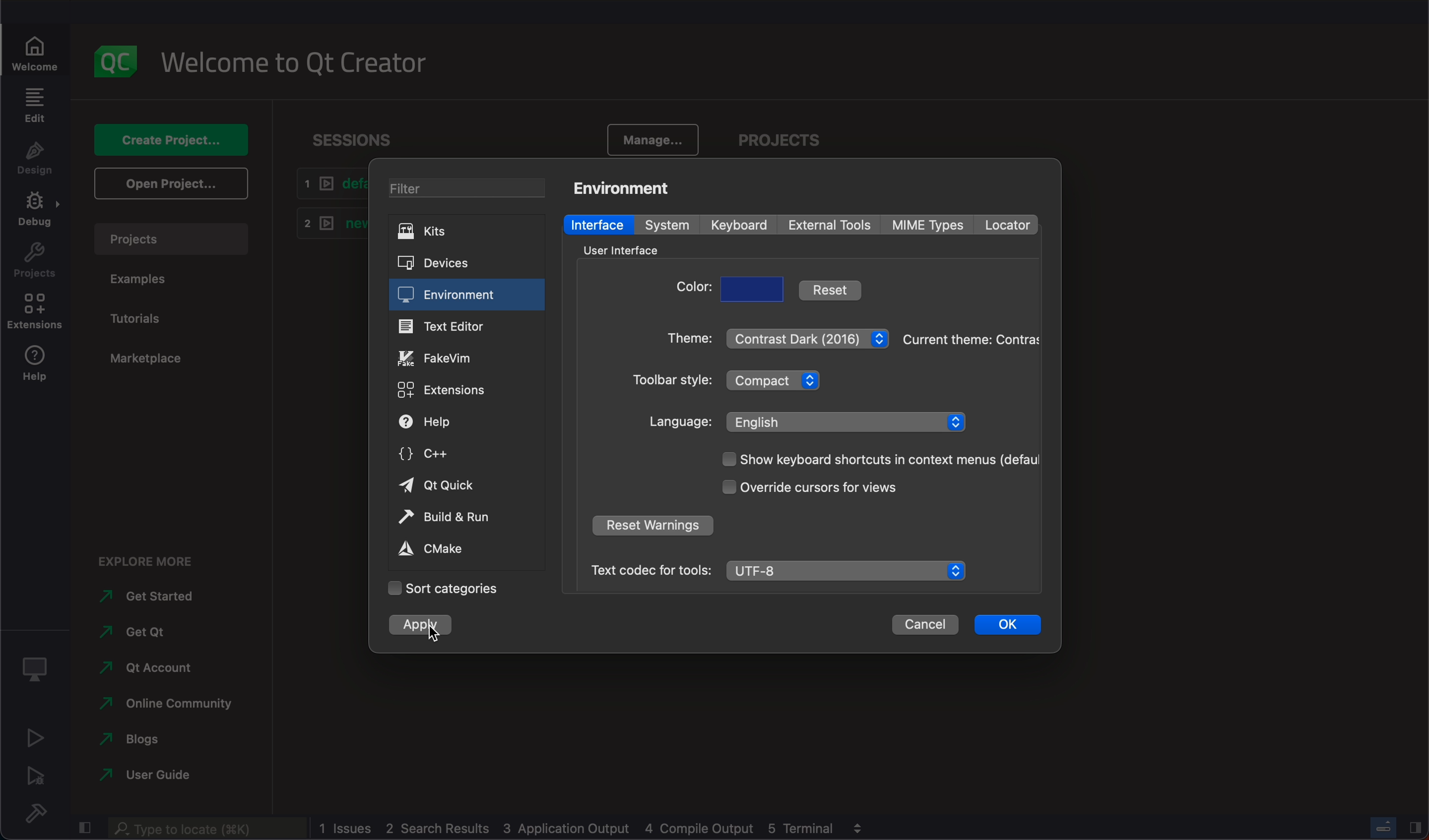 Image resolution: width=1429 pixels, height=840 pixels. What do you see at coordinates (598, 224) in the screenshot?
I see `interface` at bounding box center [598, 224].